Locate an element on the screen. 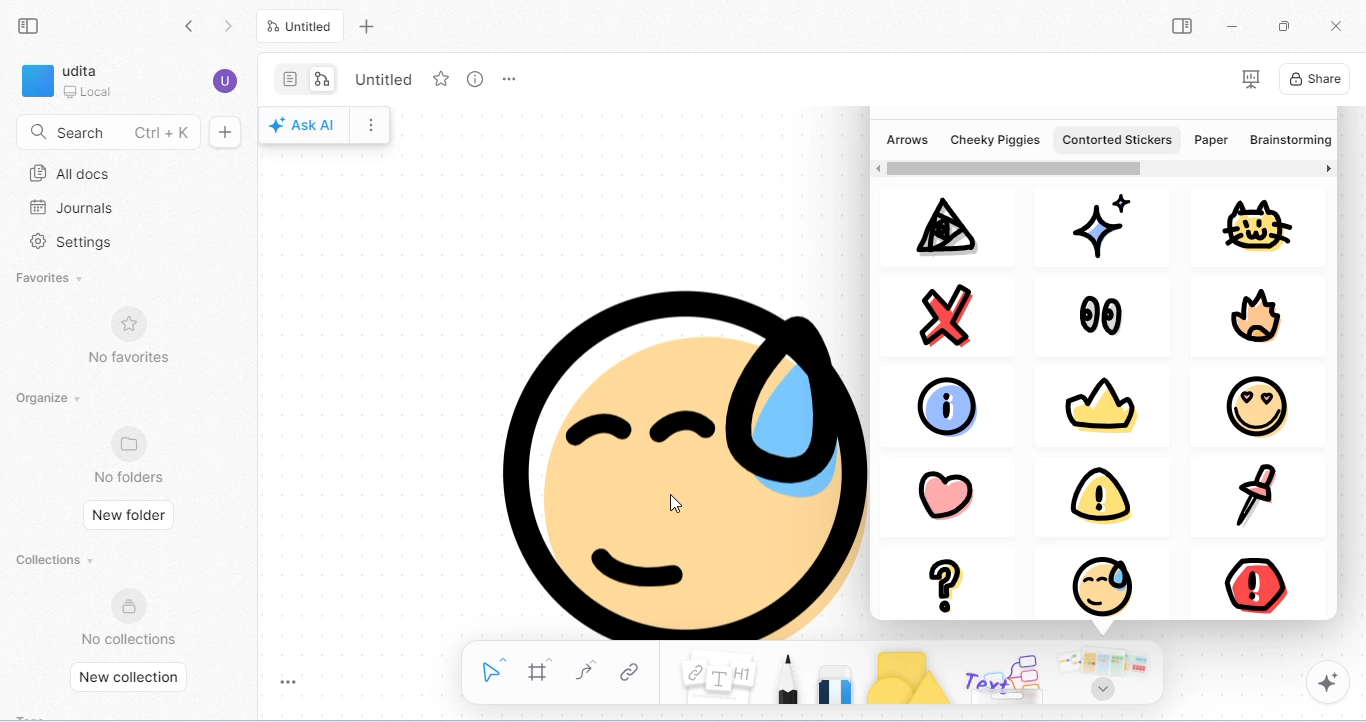 This screenshot has height=722, width=1366. cursor movement is located at coordinates (674, 502).